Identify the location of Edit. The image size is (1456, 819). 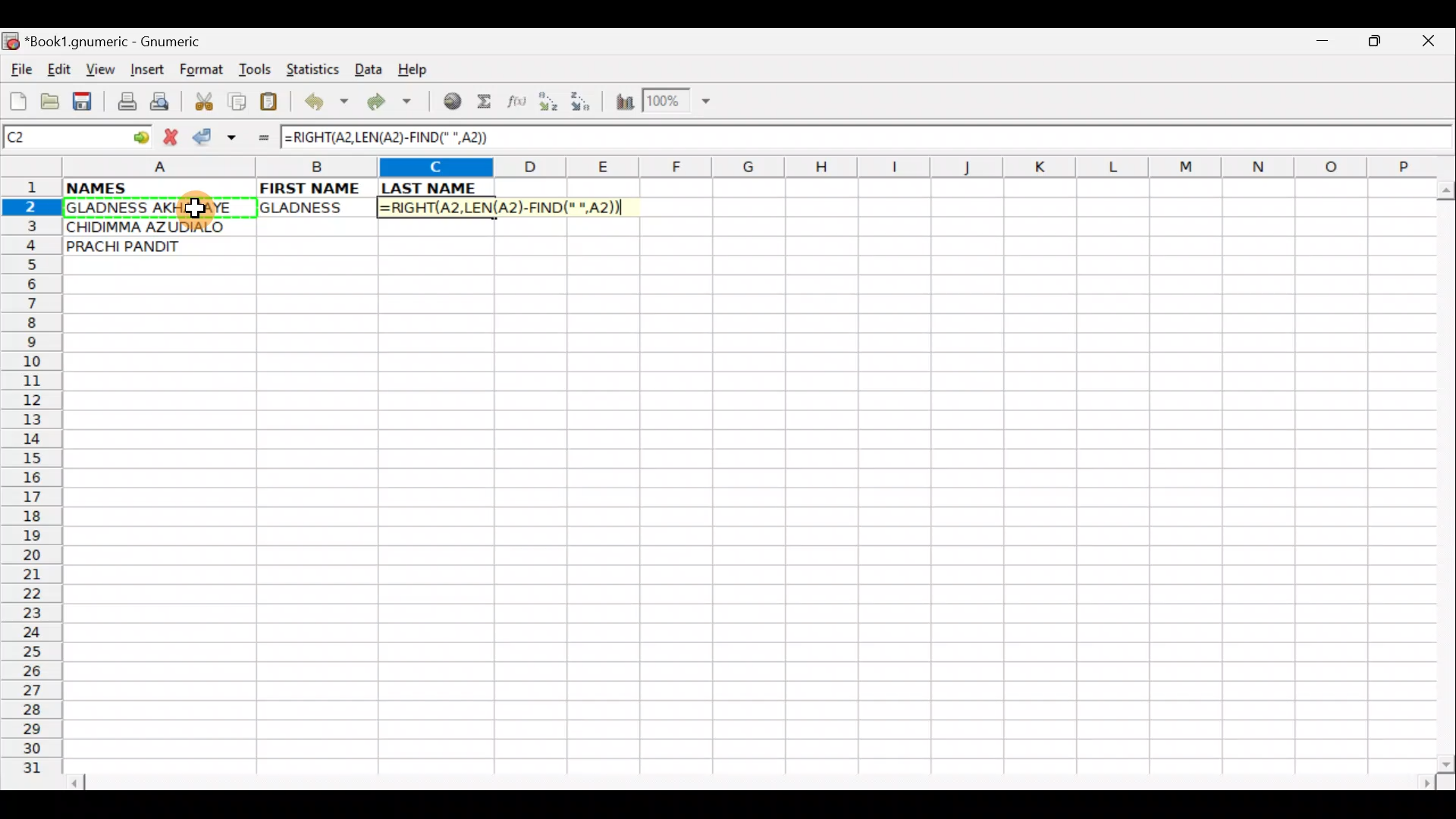
(58, 69).